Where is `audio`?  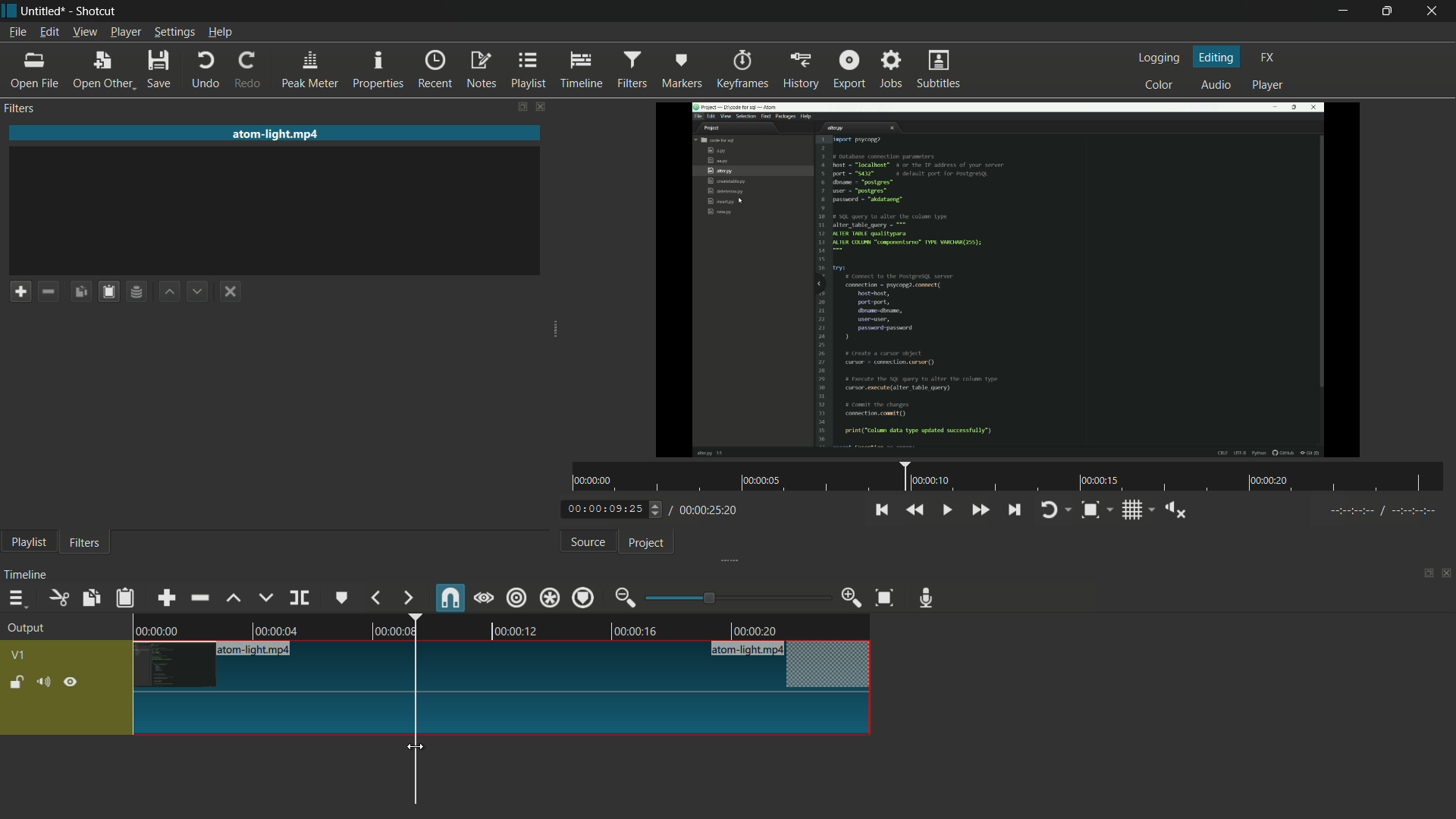 audio is located at coordinates (1217, 84).